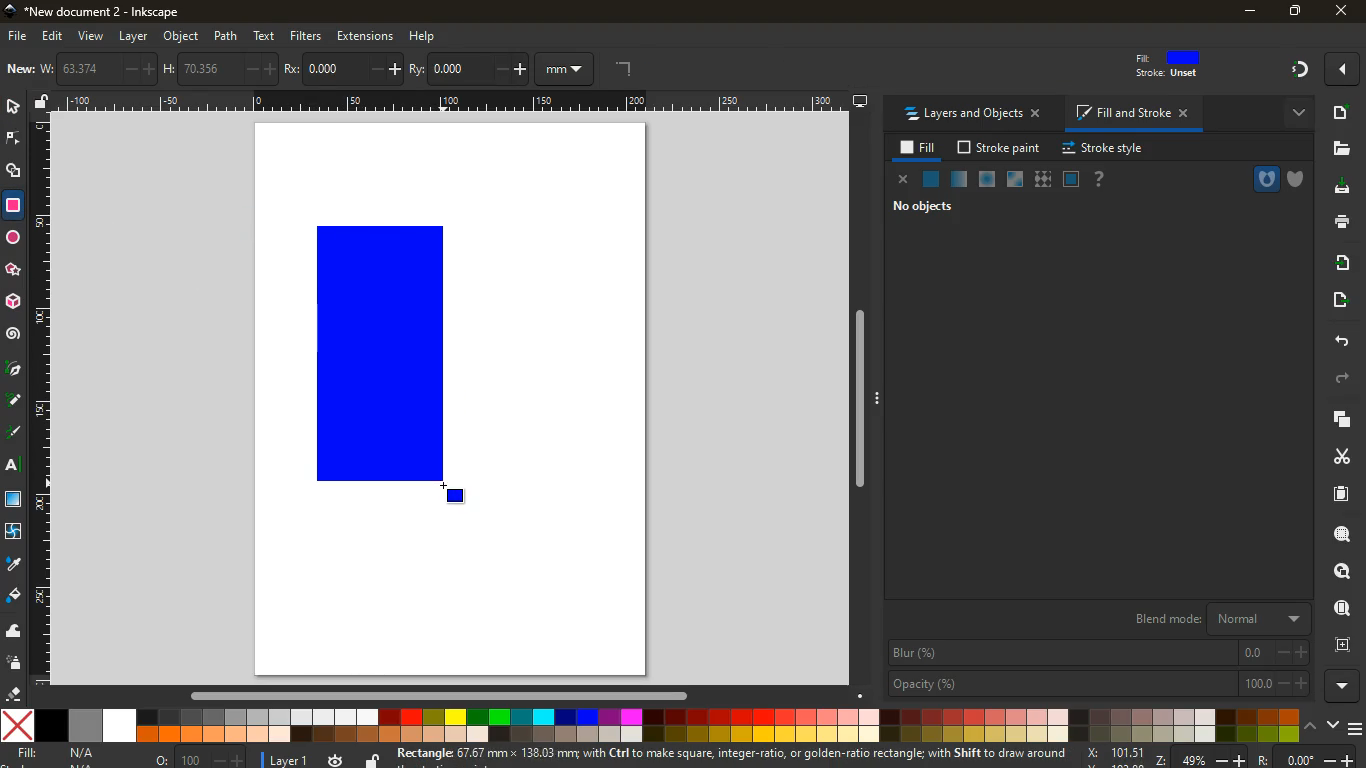  Describe the element at coordinates (857, 399) in the screenshot. I see `` at that location.